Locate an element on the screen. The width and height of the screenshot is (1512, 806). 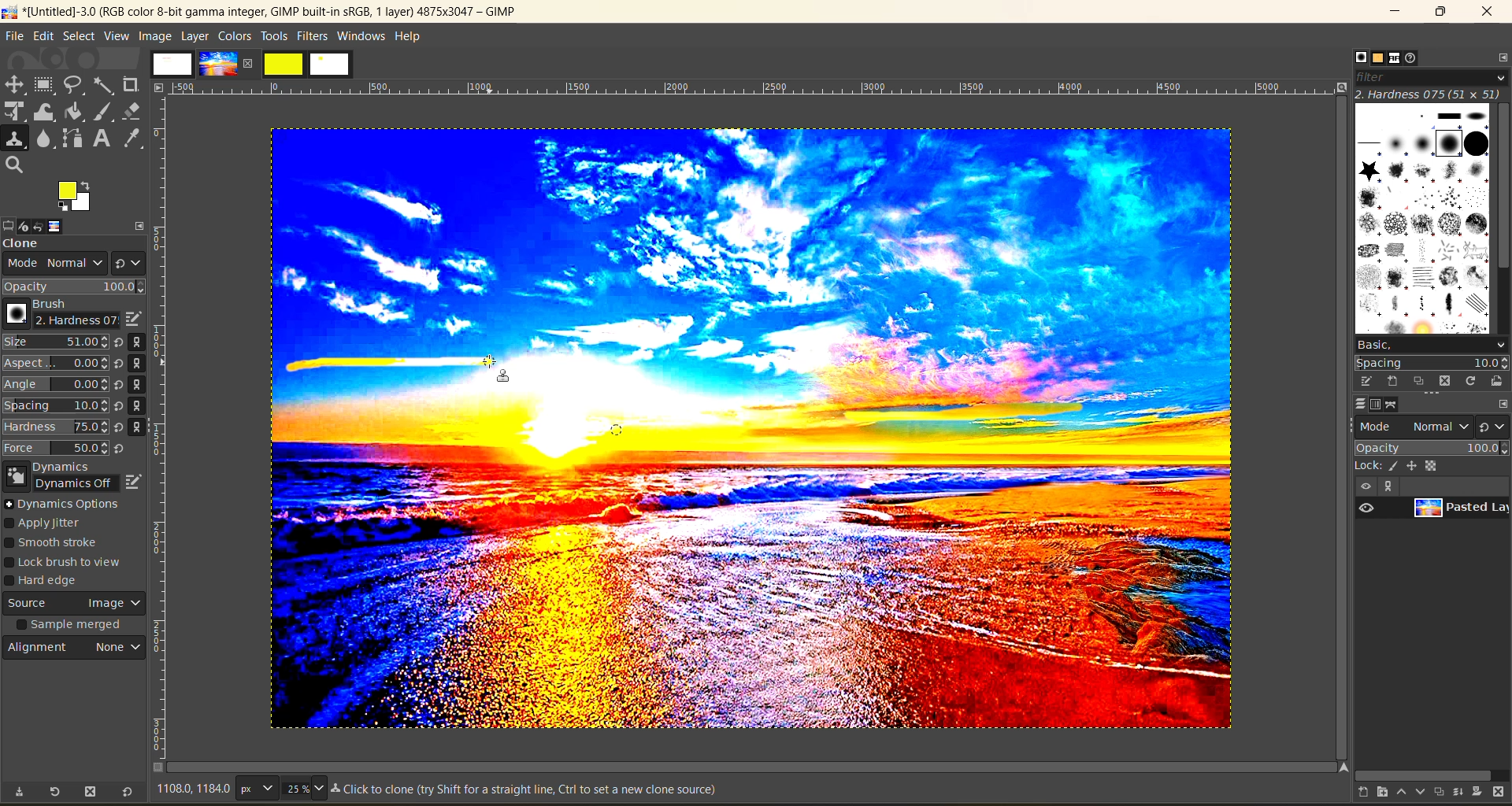
maximize is located at coordinates (1440, 13).